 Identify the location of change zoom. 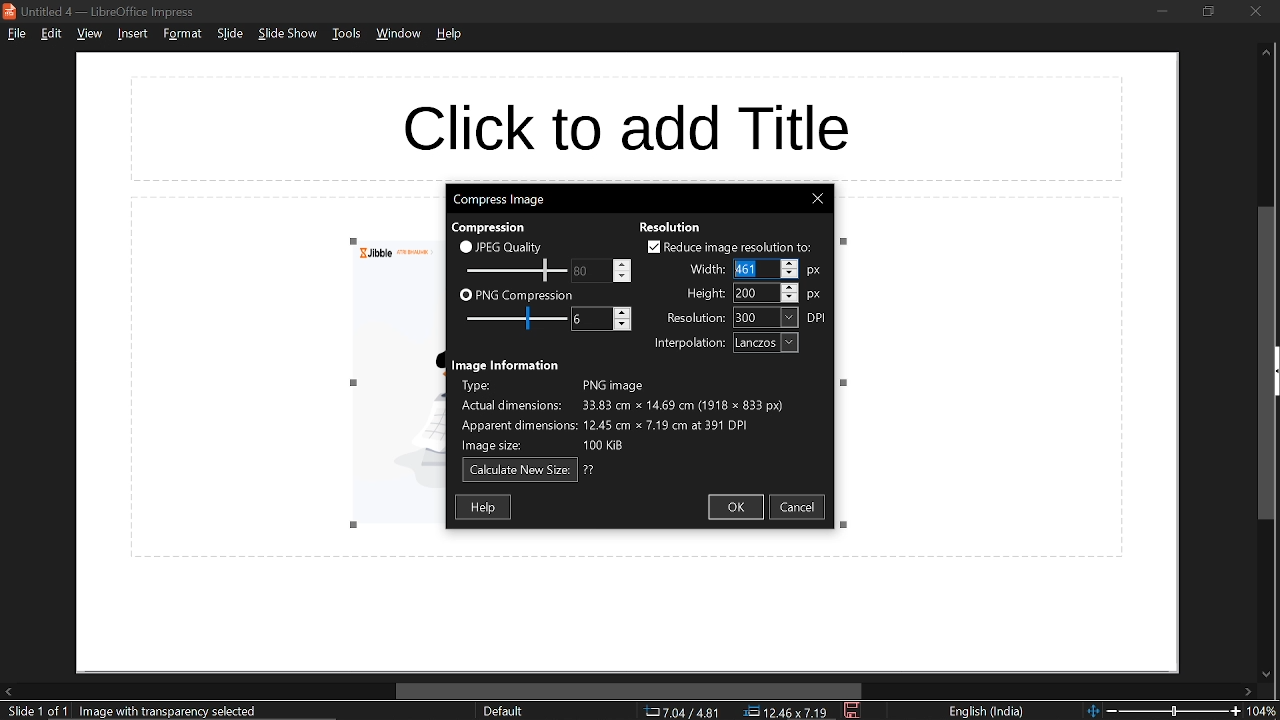
(1162, 712).